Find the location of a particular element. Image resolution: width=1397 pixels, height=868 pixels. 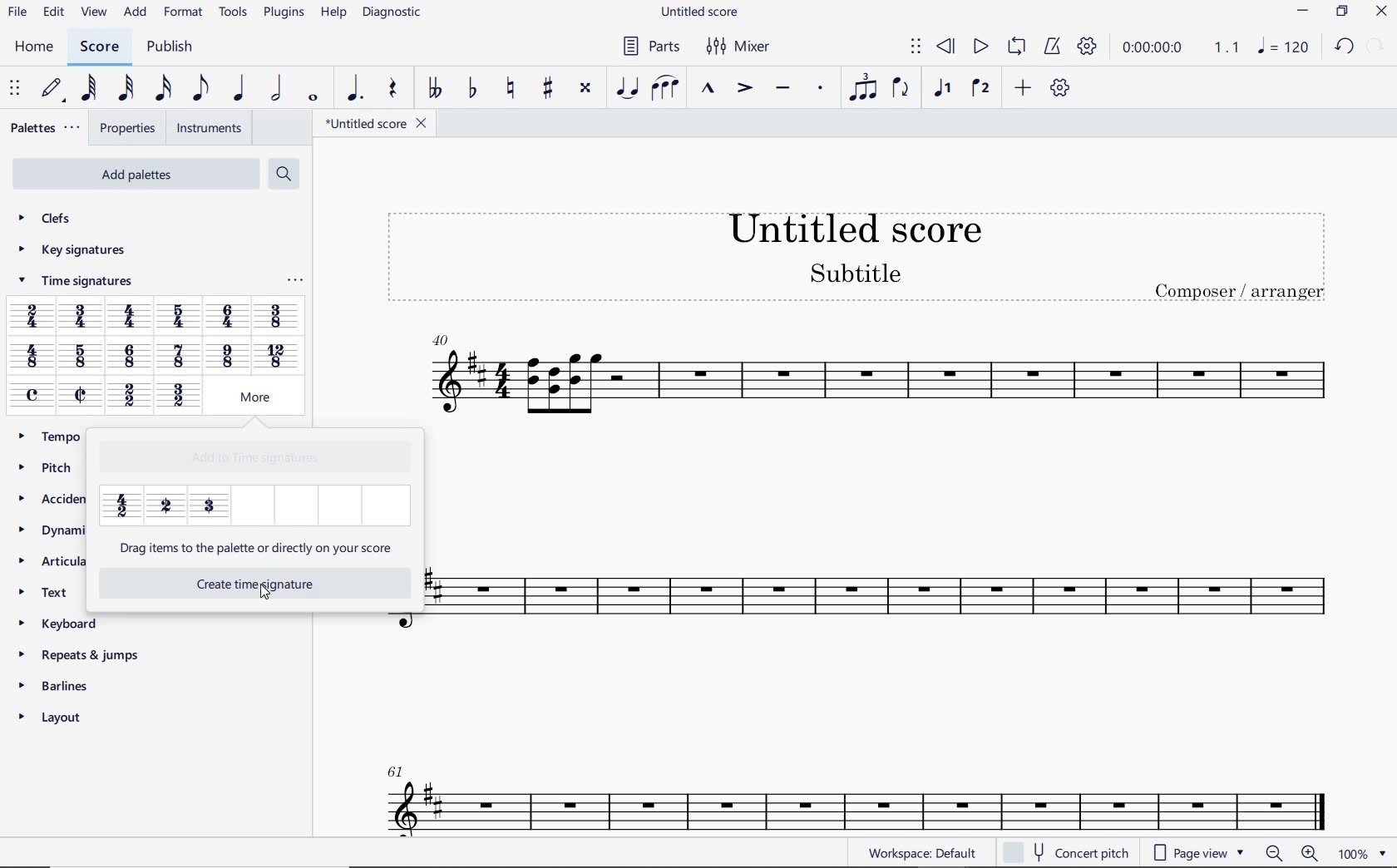

FILE NAME is located at coordinates (701, 14).